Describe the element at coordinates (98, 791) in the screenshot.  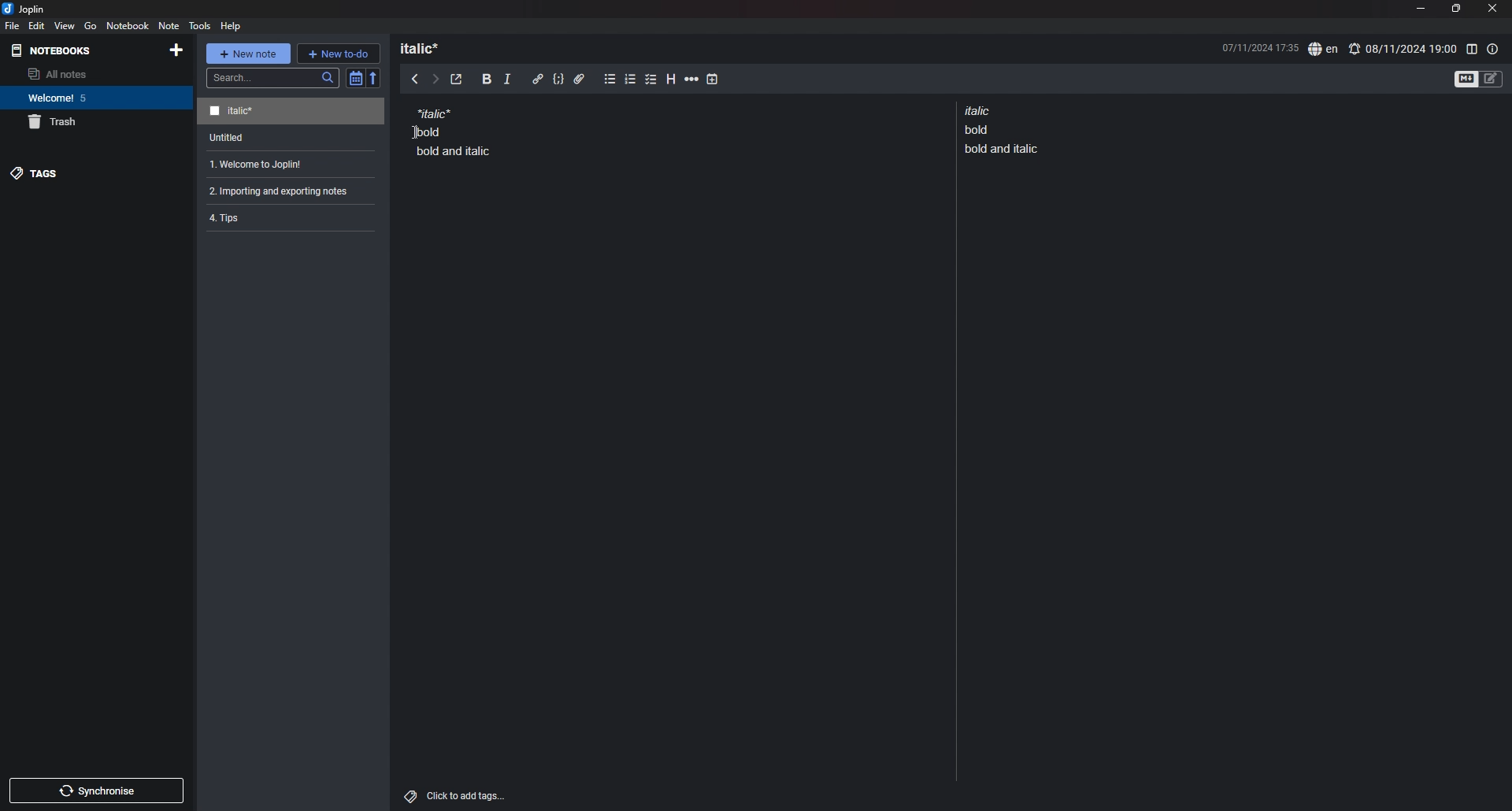
I see `sync` at that location.